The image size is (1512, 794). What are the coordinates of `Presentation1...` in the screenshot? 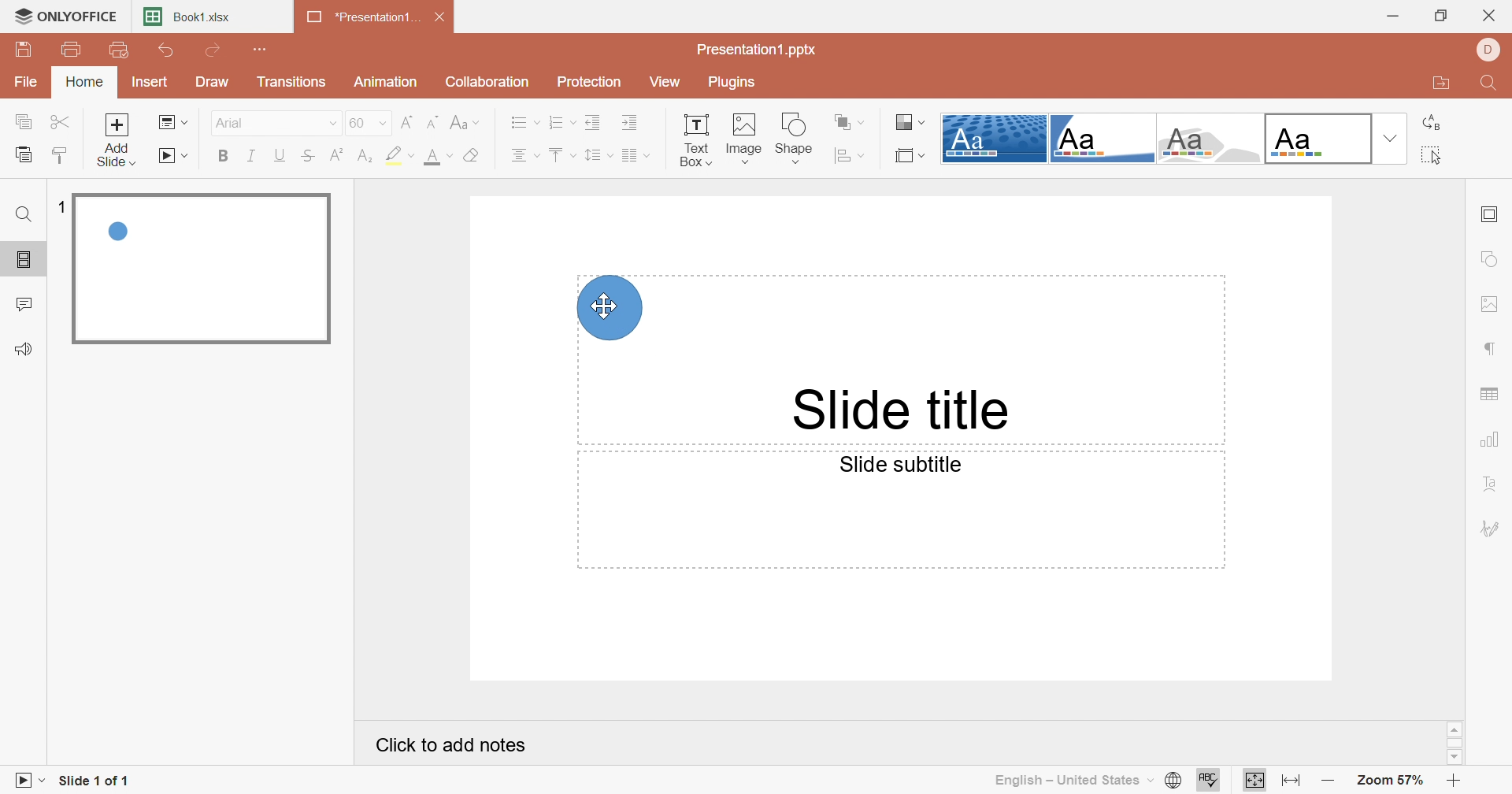 It's located at (363, 17).